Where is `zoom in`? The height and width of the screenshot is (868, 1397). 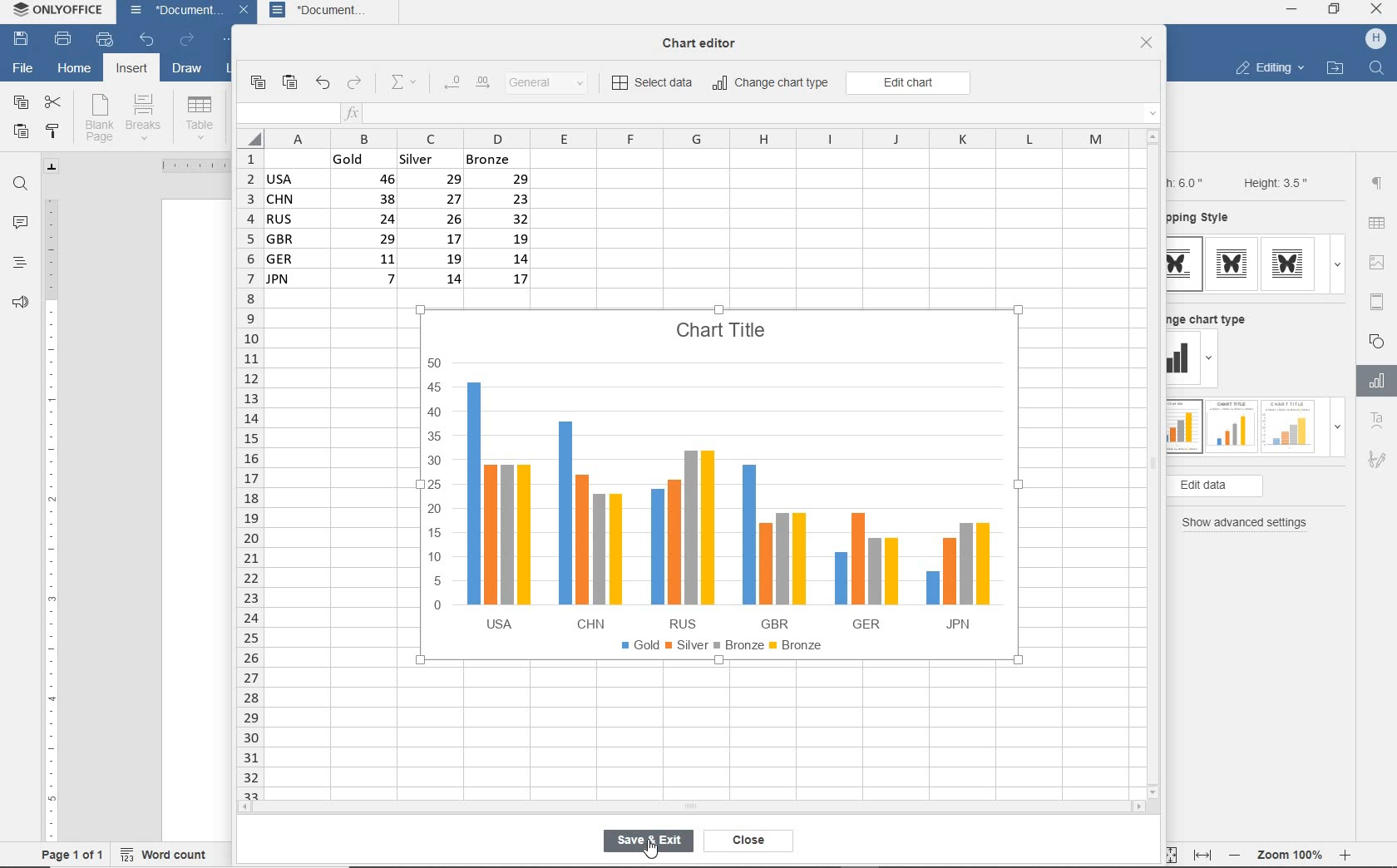 zoom in is located at coordinates (1346, 852).